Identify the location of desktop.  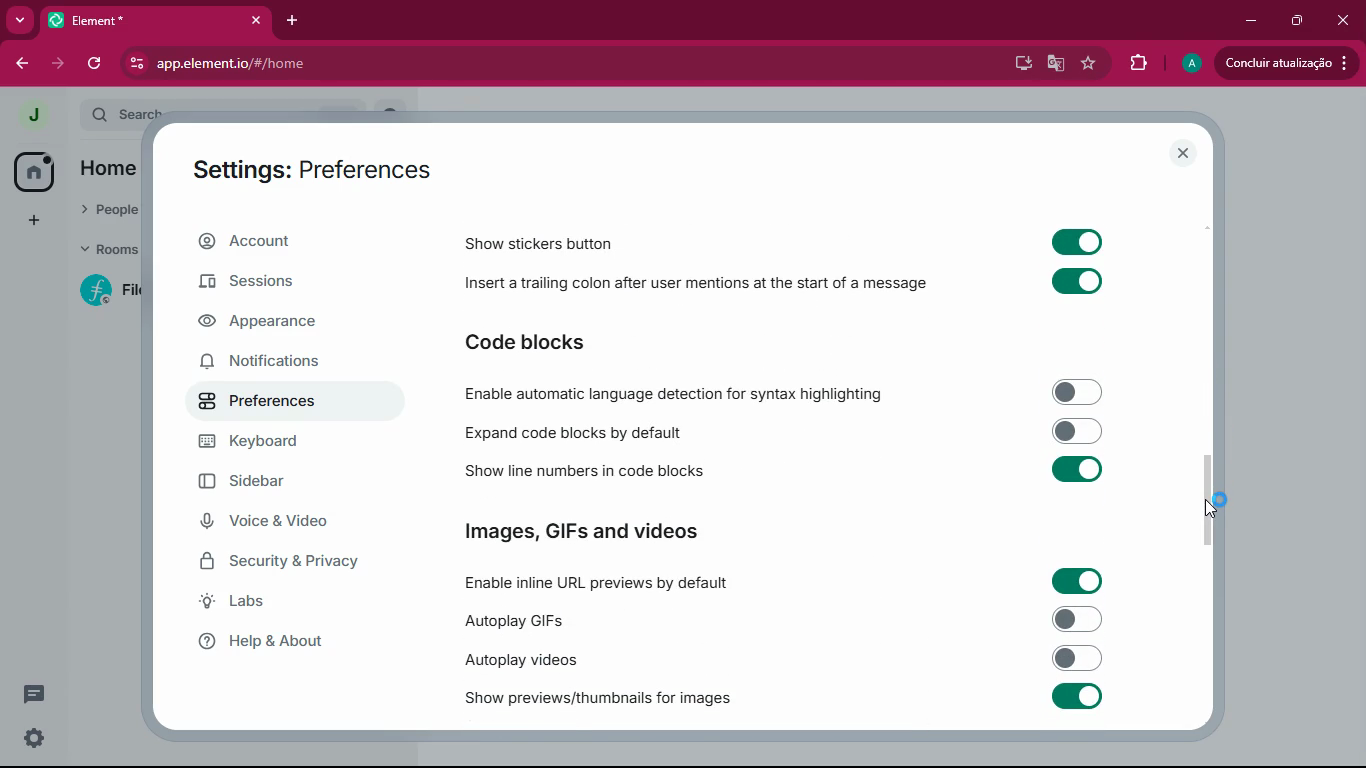
(1018, 65).